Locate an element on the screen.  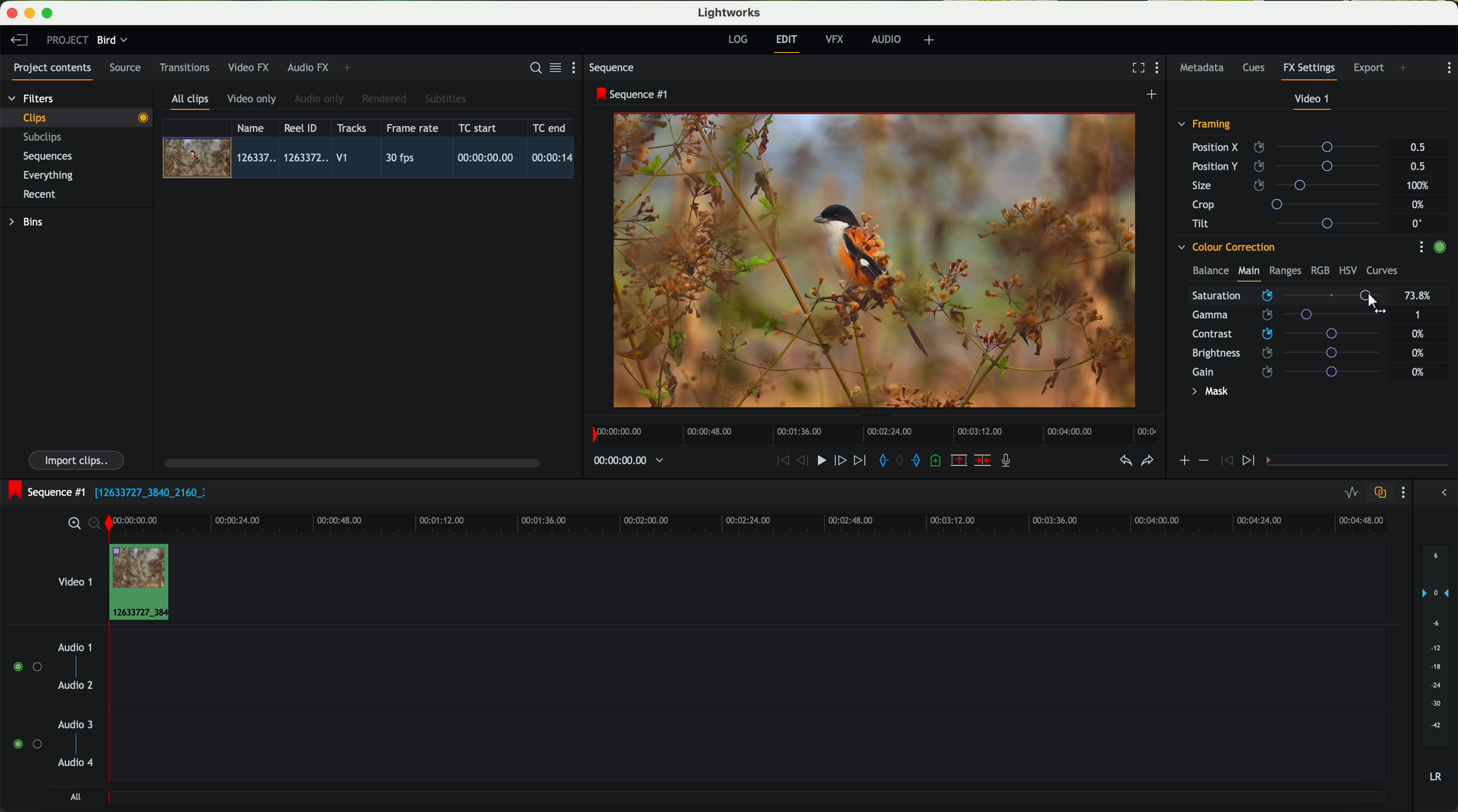
Reel ID is located at coordinates (303, 127).